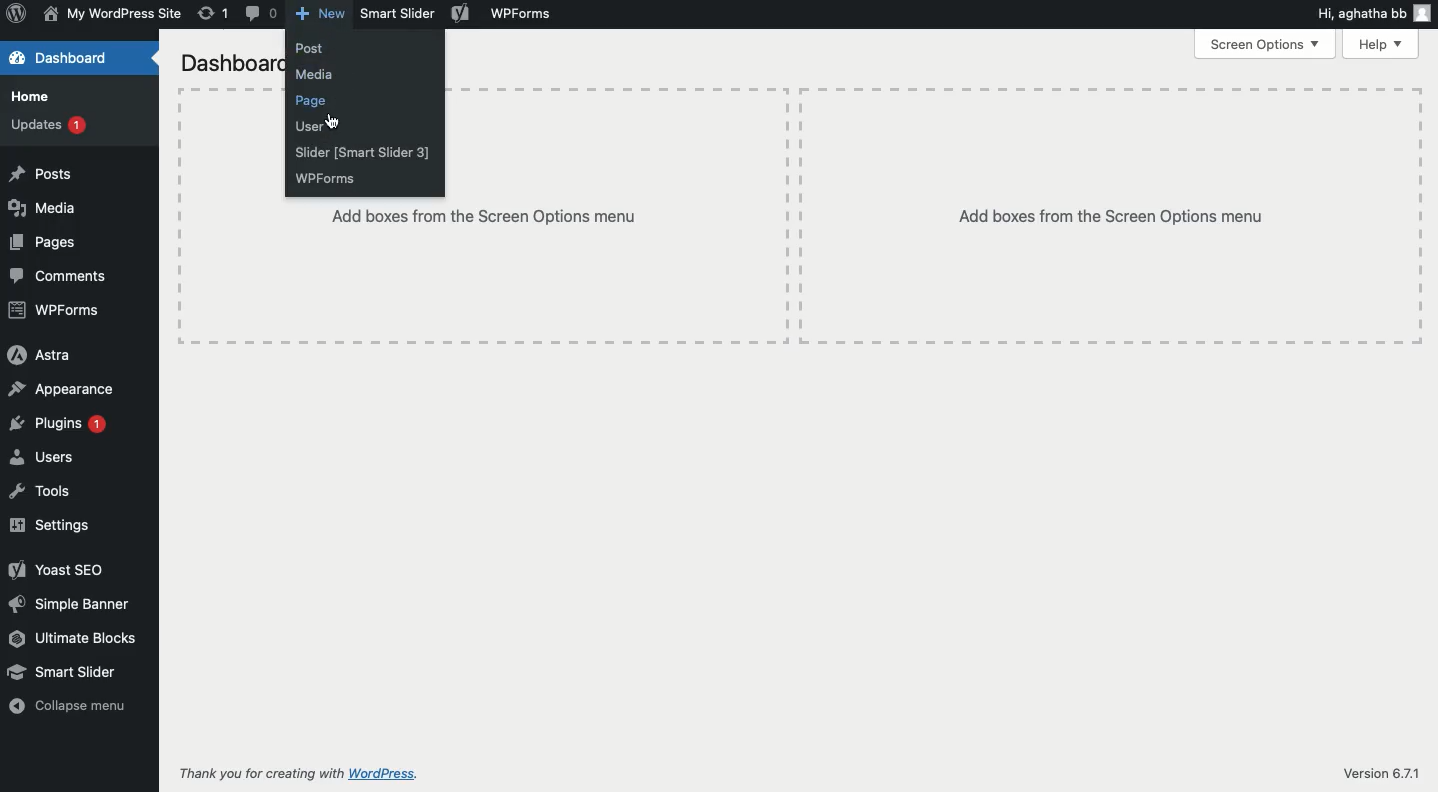 The height and width of the screenshot is (792, 1438). What do you see at coordinates (314, 75) in the screenshot?
I see `Media` at bounding box center [314, 75].